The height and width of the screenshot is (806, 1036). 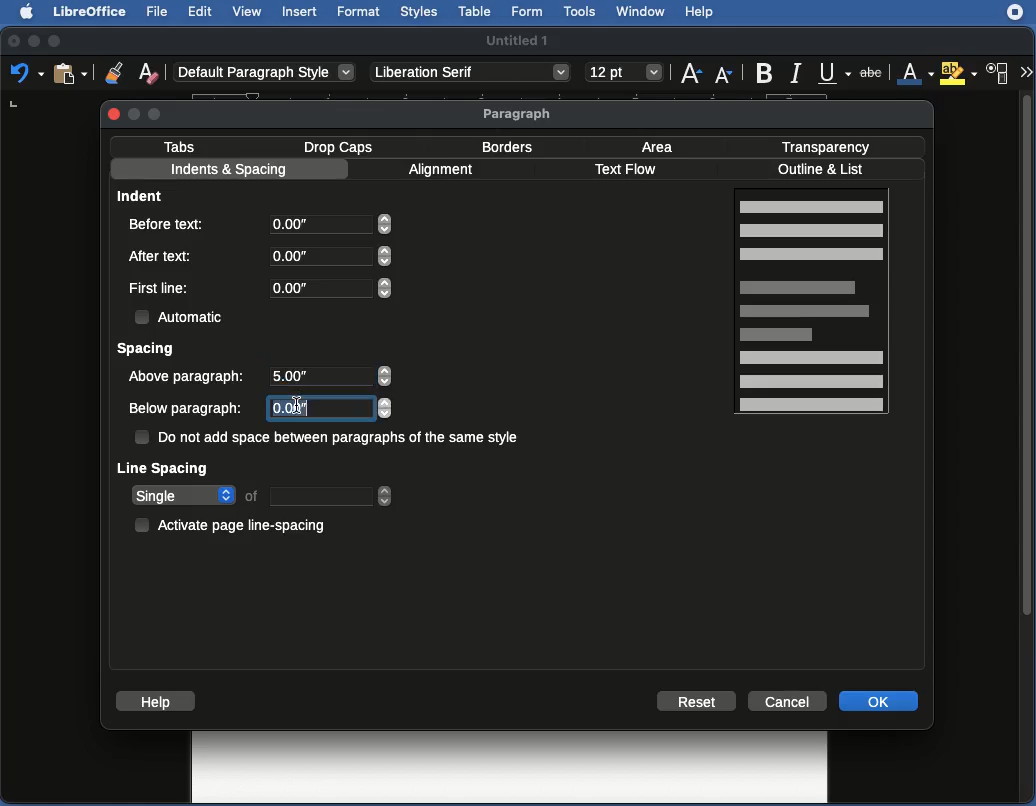 I want to click on Liberation Serif, so click(x=470, y=73).